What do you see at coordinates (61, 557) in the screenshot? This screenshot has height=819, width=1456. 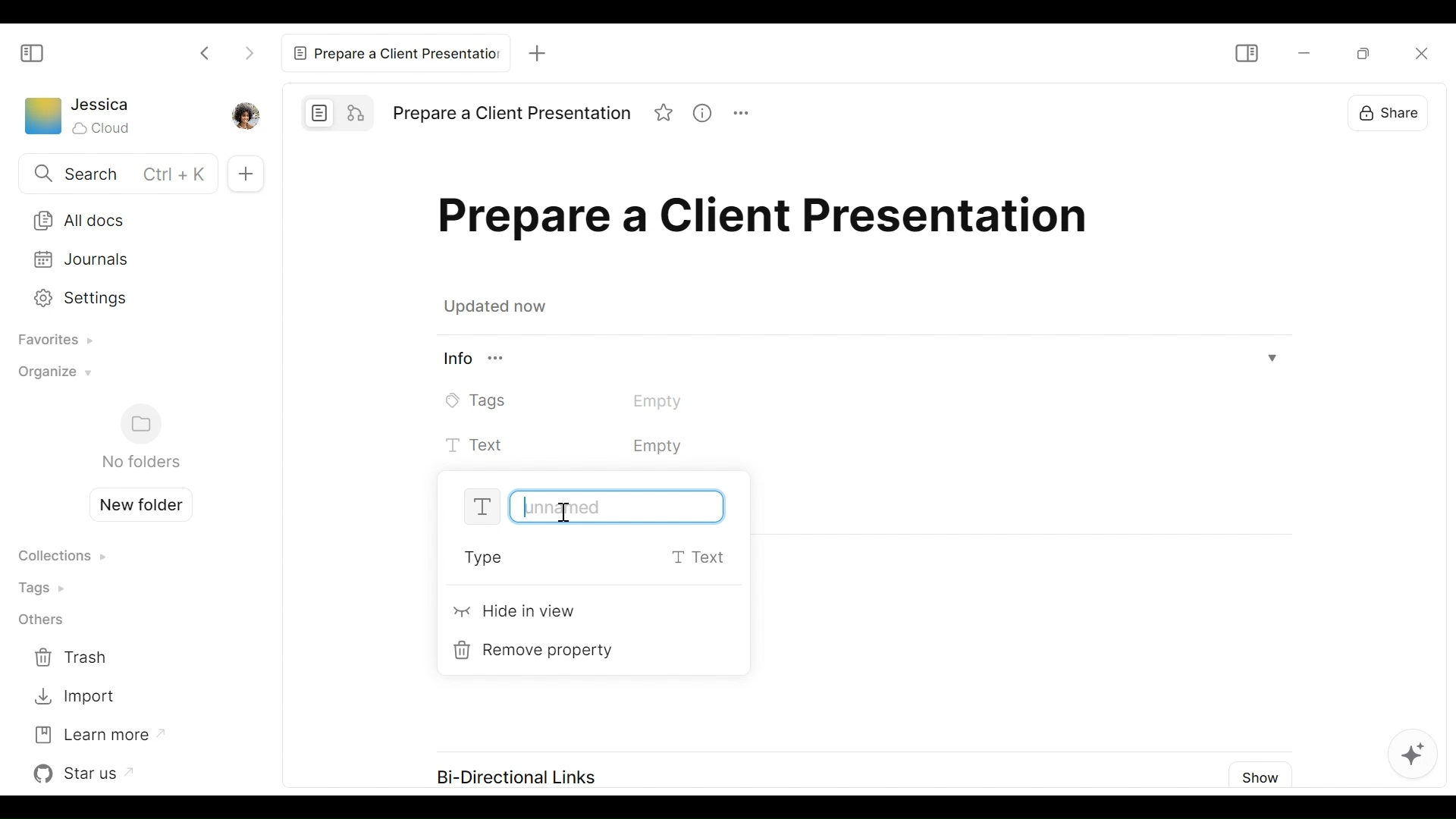 I see `Collections` at bounding box center [61, 557].